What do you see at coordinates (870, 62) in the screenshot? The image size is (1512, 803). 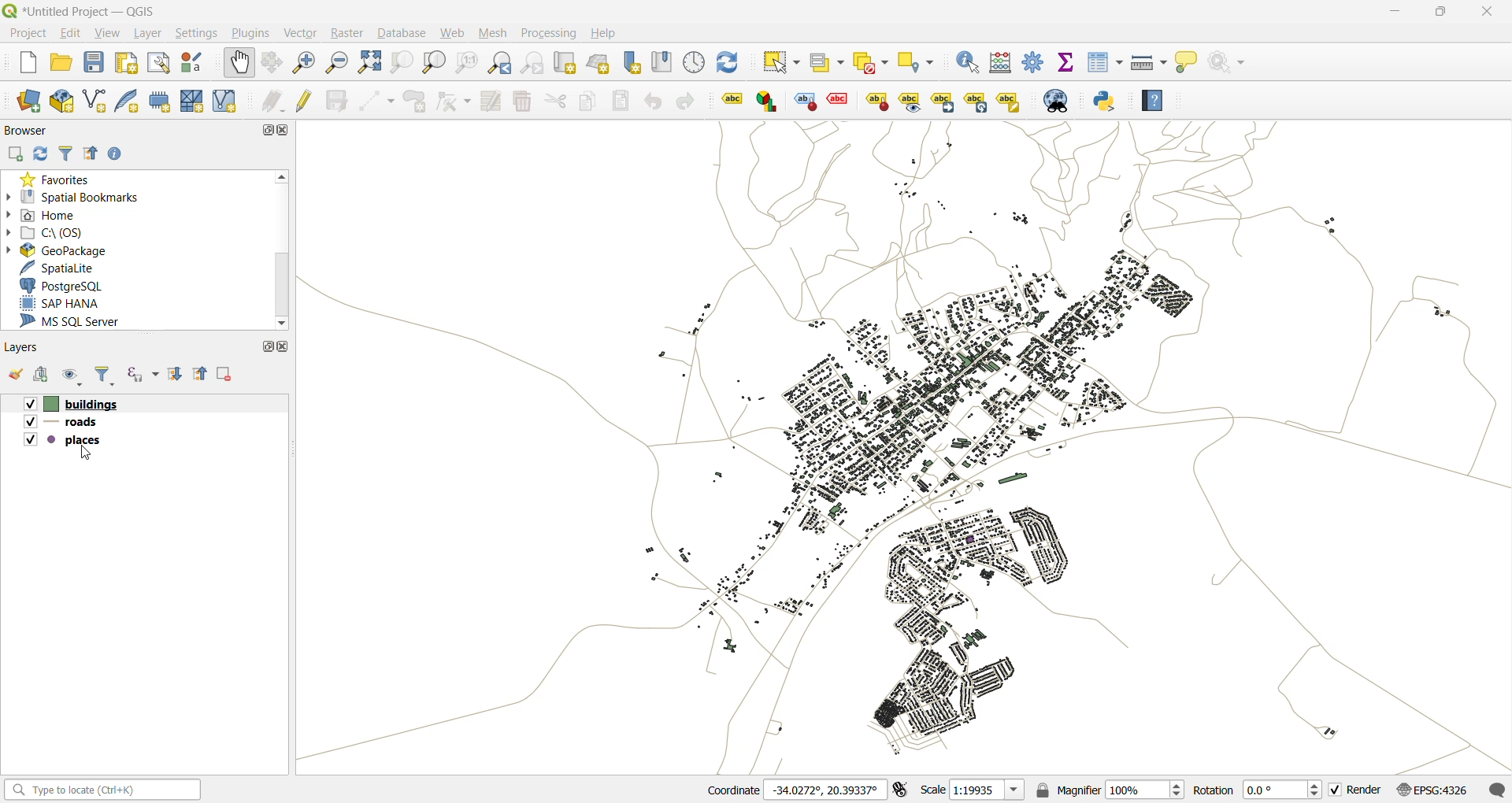 I see `deselect value` at bounding box center [870, 62].